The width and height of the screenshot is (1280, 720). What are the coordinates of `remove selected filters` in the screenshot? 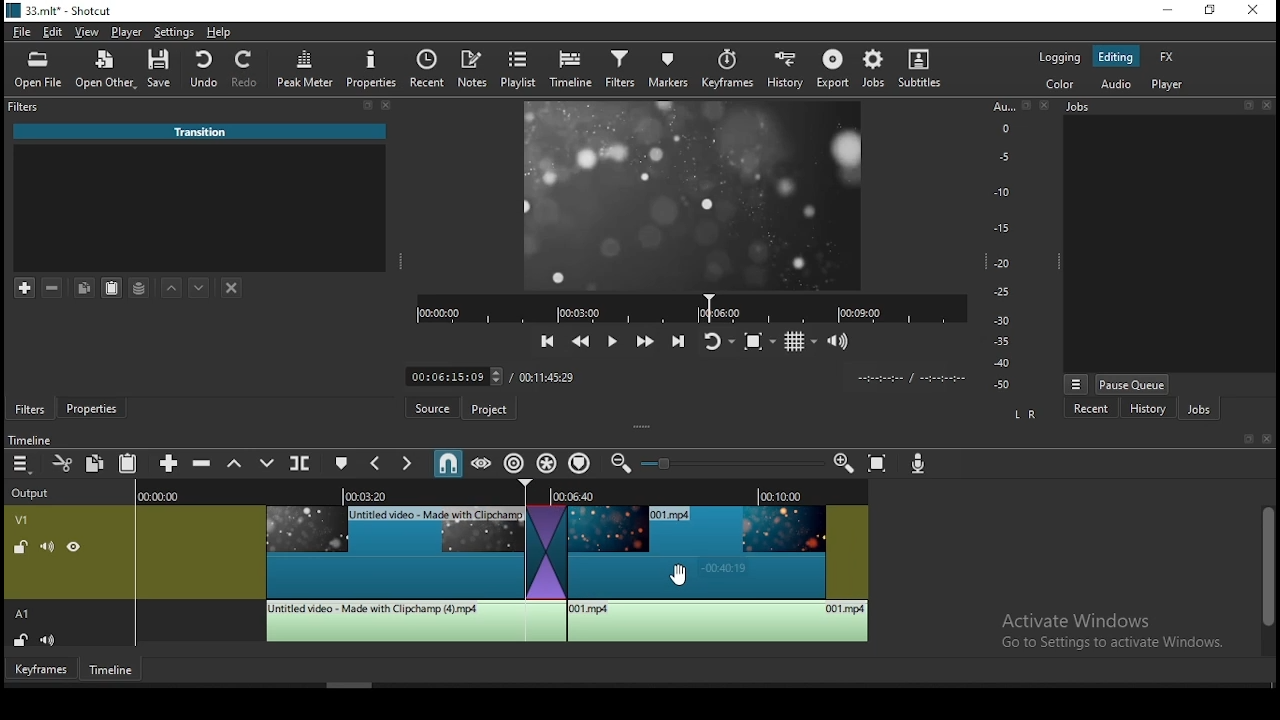 It's located at (55, 285).